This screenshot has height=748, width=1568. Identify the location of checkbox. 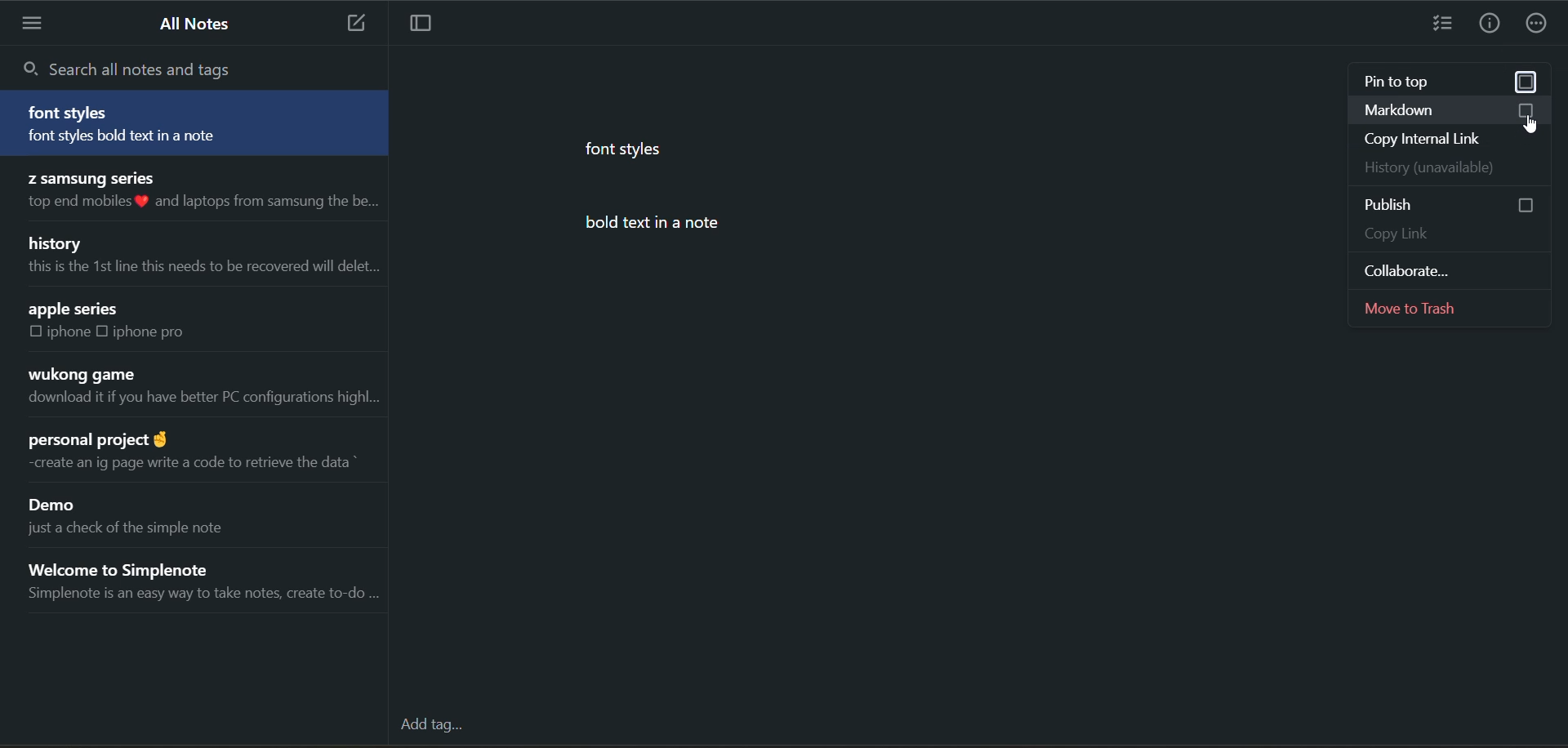
(1513, 203).